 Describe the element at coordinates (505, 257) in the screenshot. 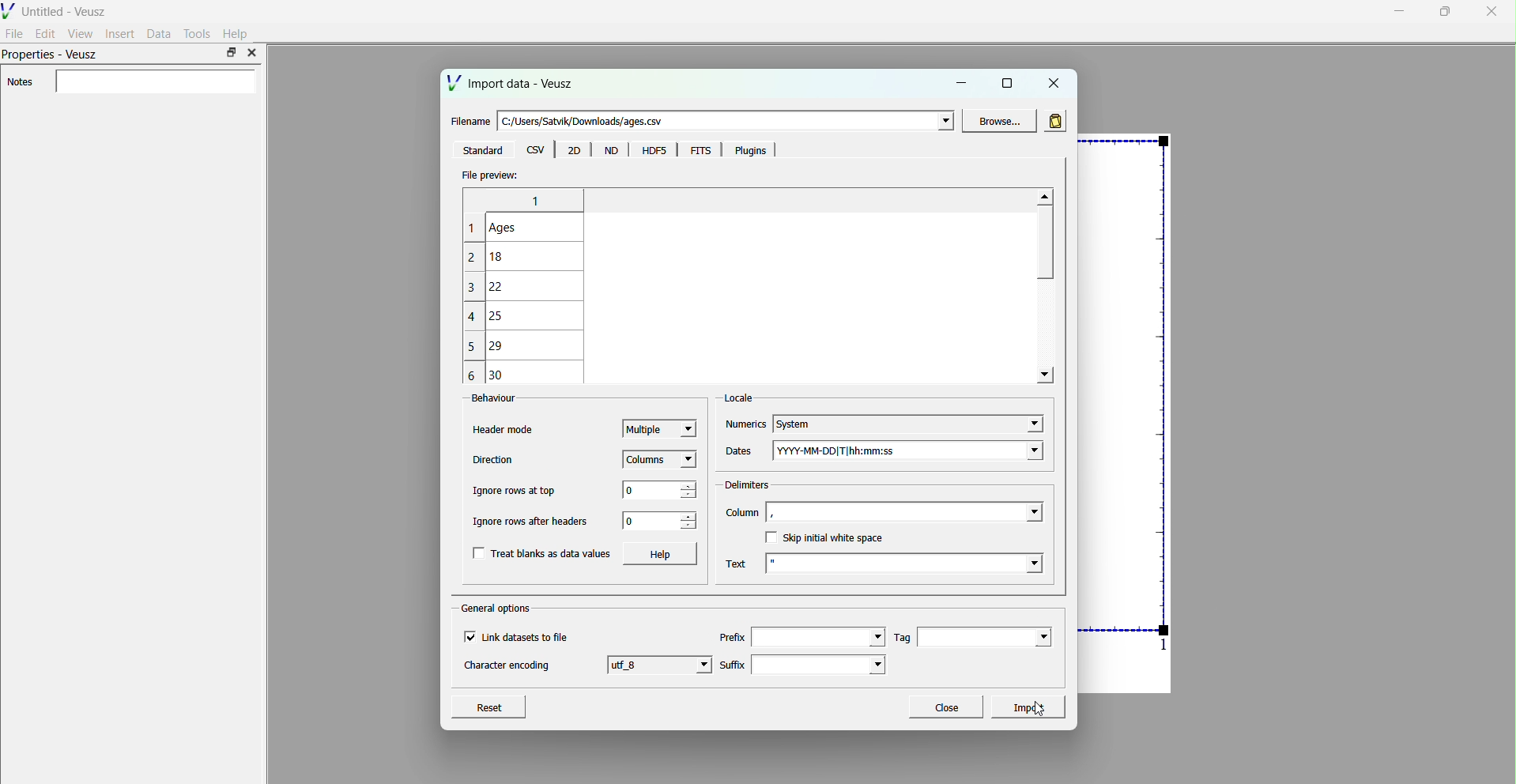

I see `18` at that location.